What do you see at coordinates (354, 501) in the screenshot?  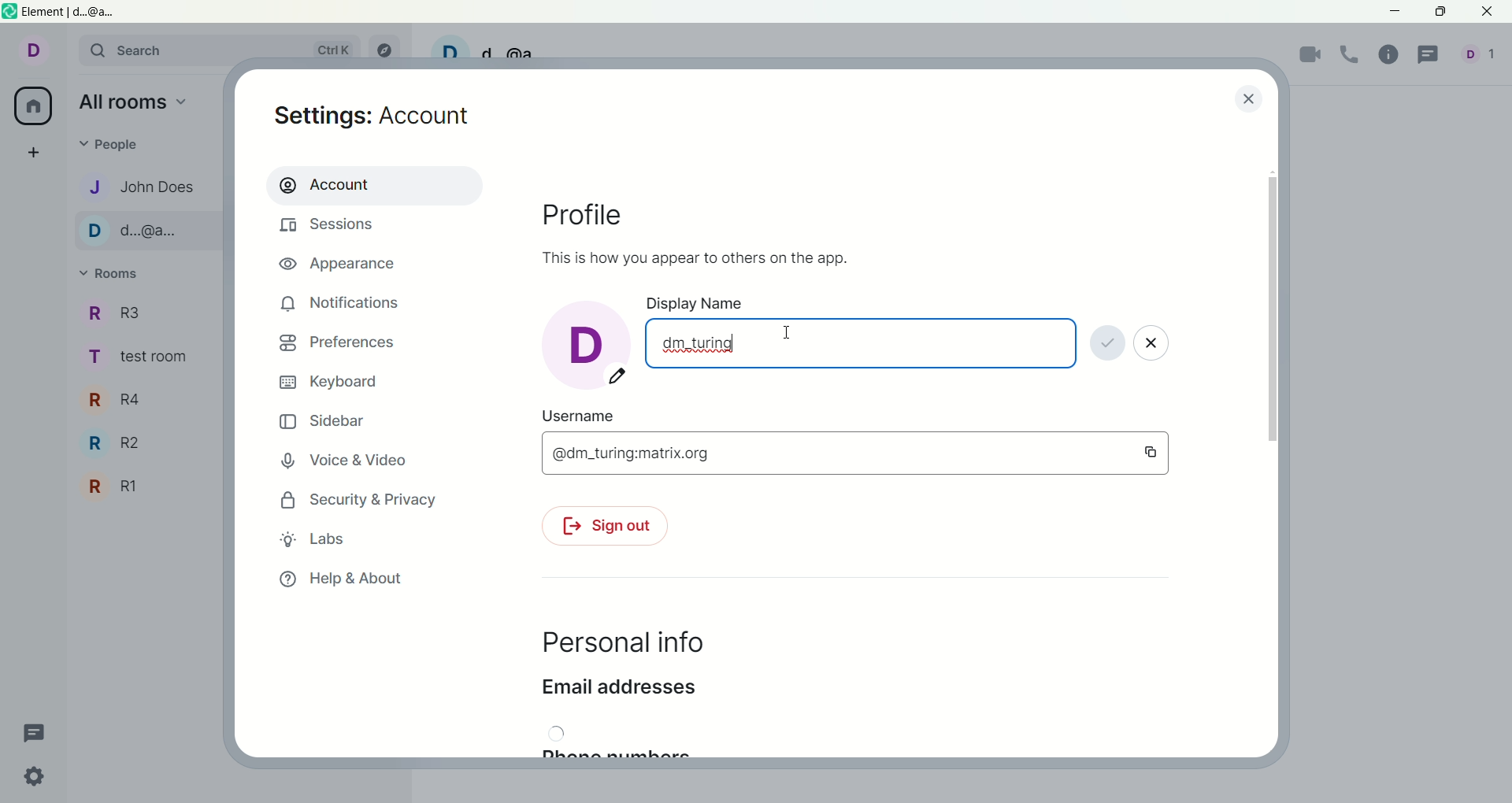 I see `security and privacy` at bounding box center [354, 501].